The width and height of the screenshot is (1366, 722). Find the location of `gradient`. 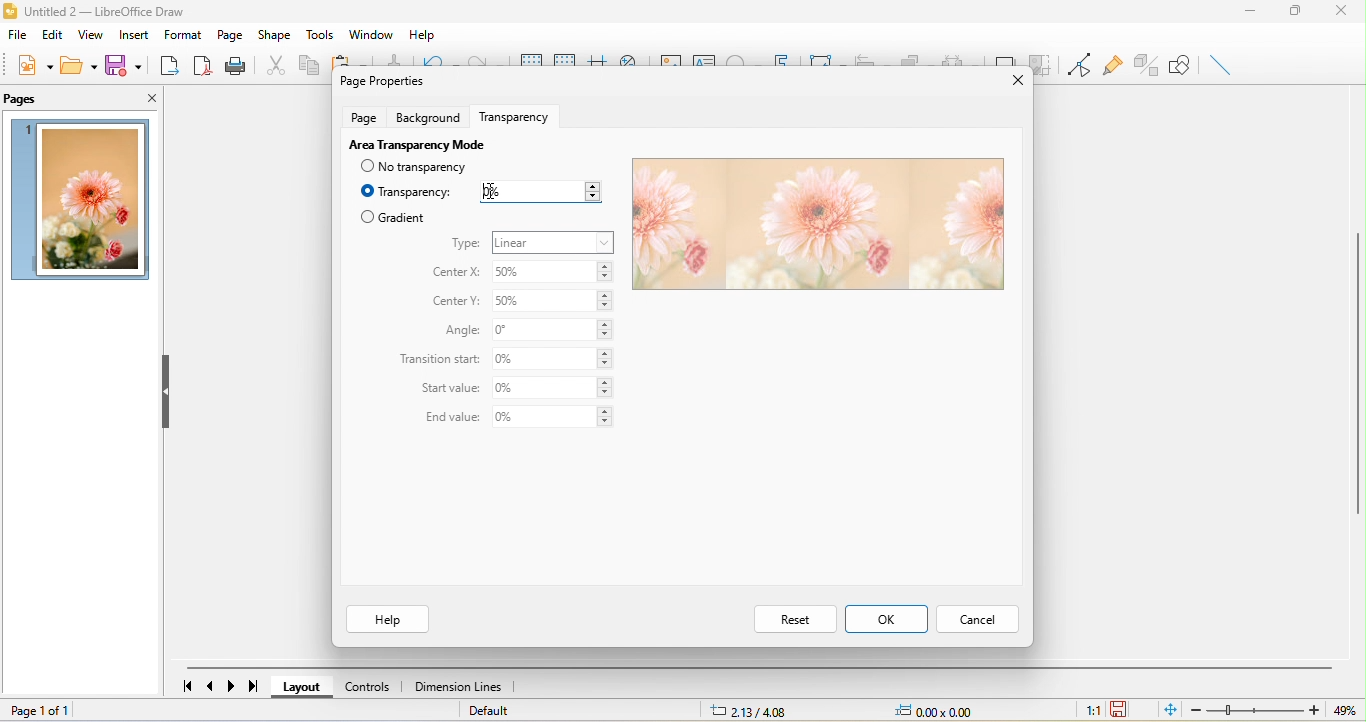

gradient is located at coordinates (393, 217).